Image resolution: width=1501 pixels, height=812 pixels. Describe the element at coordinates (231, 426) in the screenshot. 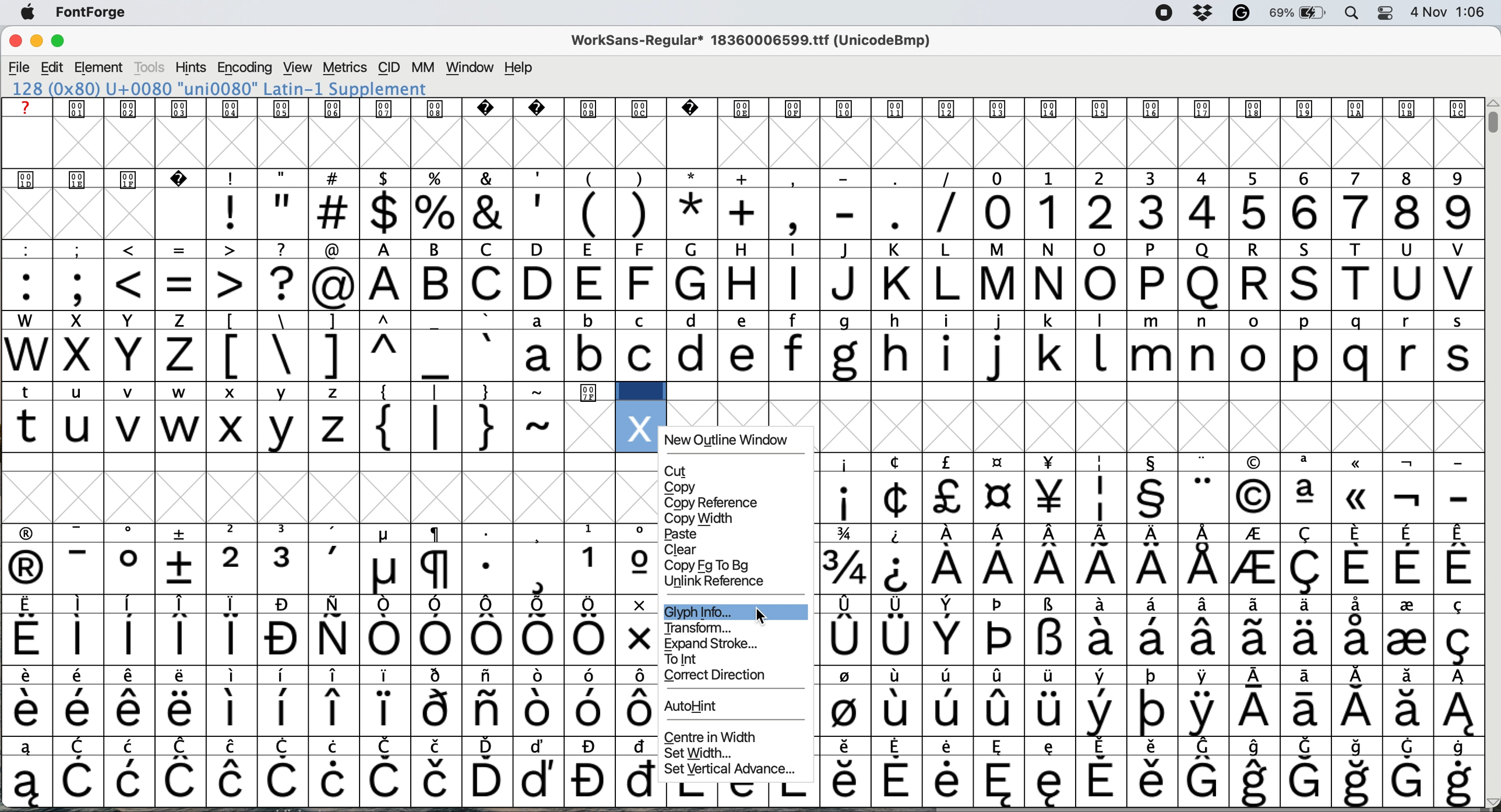

I see `lower case x chosen` at that location.